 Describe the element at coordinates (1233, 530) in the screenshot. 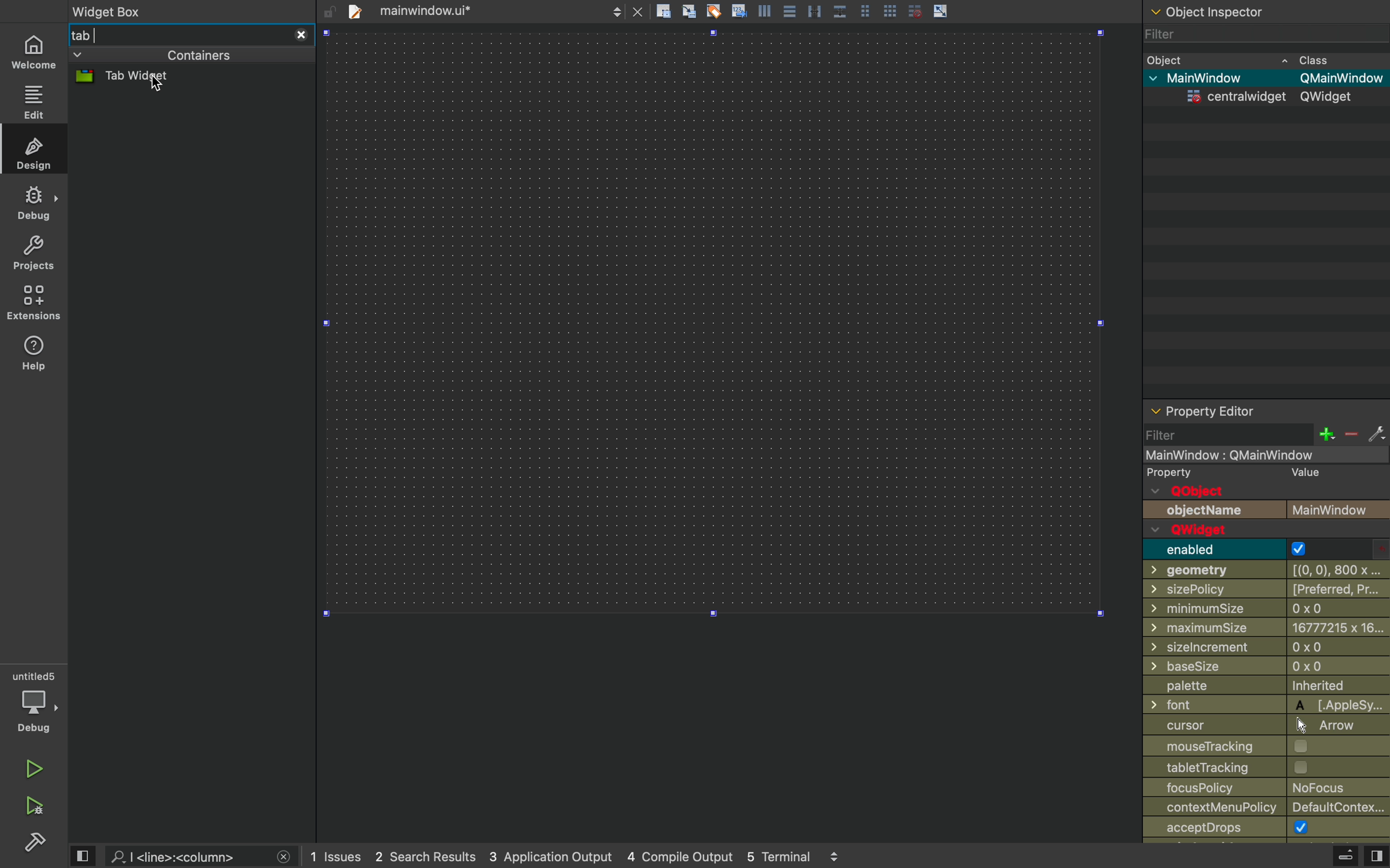

I see `qwidget` at that location.